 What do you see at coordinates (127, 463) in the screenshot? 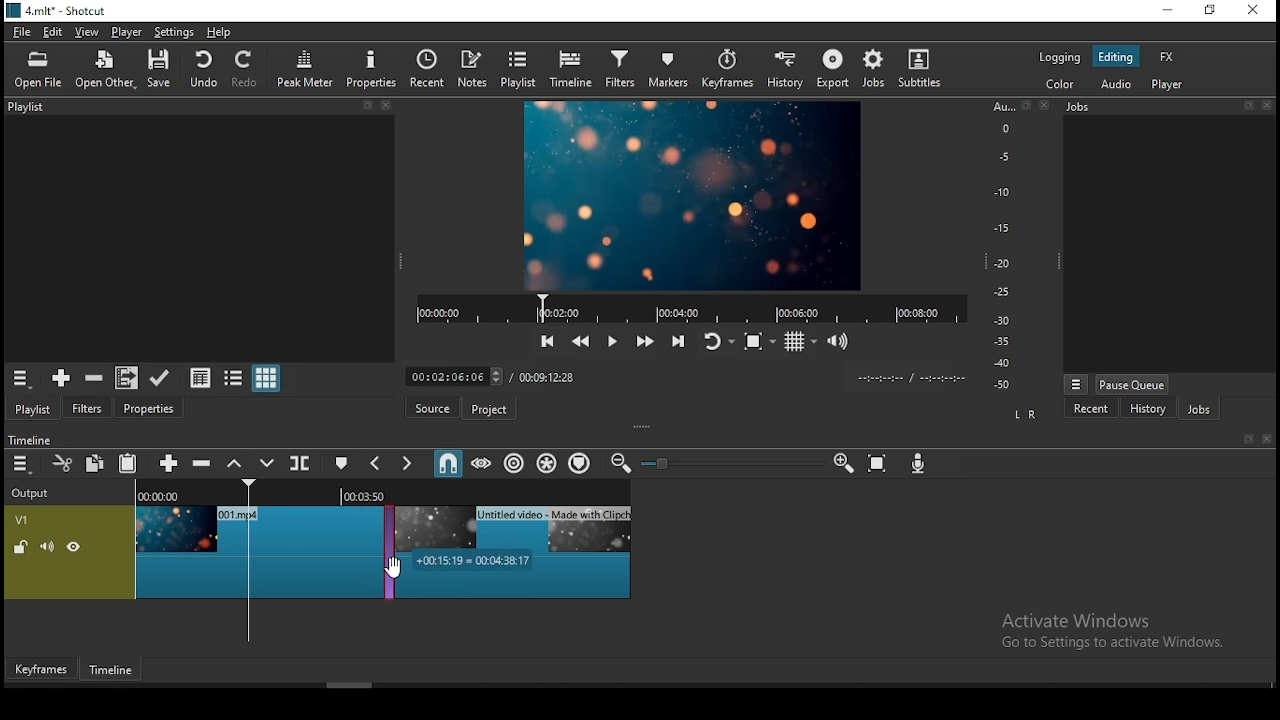
I see `paste` at bounding box center [127, 463].